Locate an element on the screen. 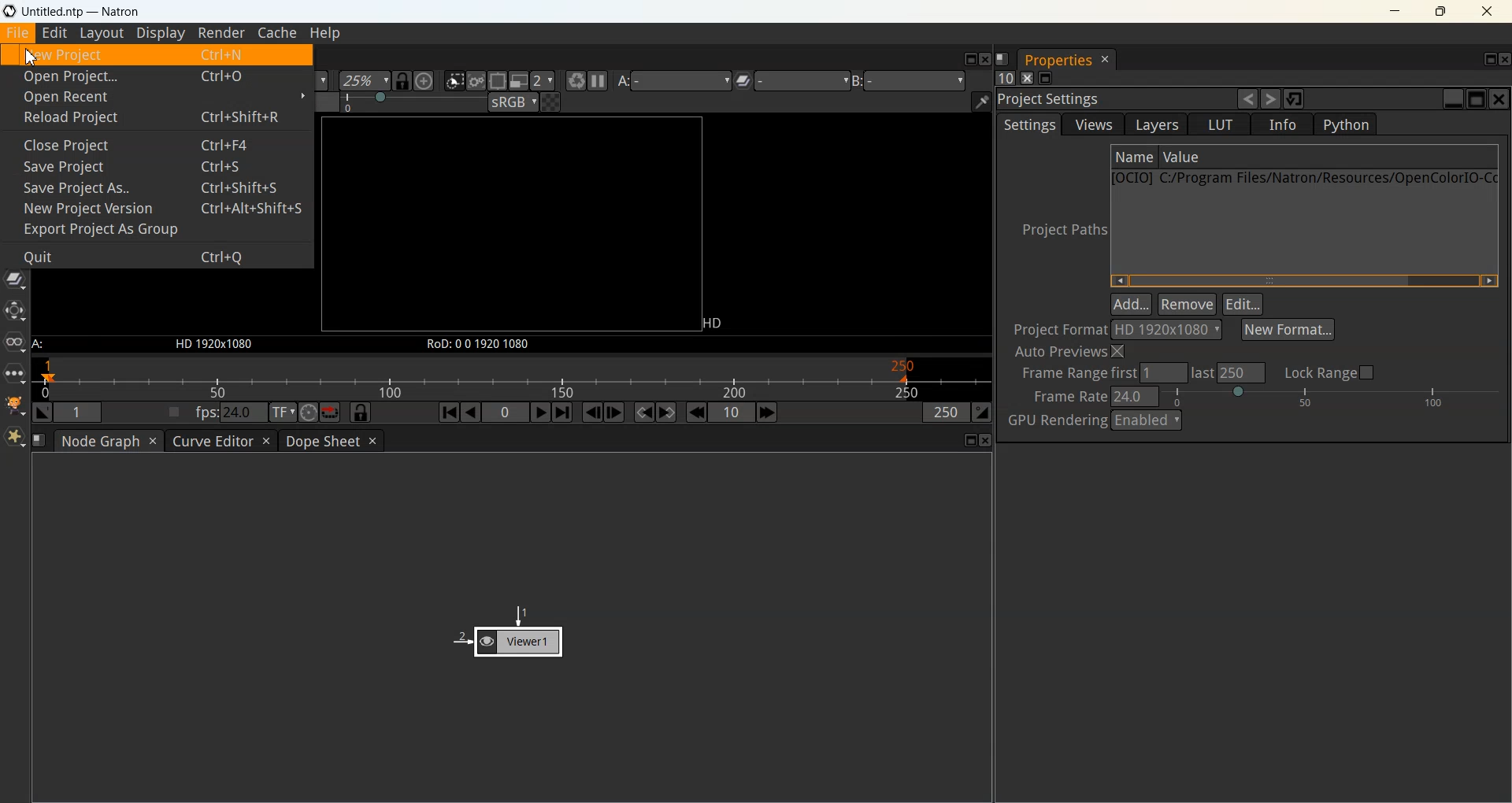 The width and height of the screenshot is (1512, 803). Maximize is located at coordinates (1477, 98).